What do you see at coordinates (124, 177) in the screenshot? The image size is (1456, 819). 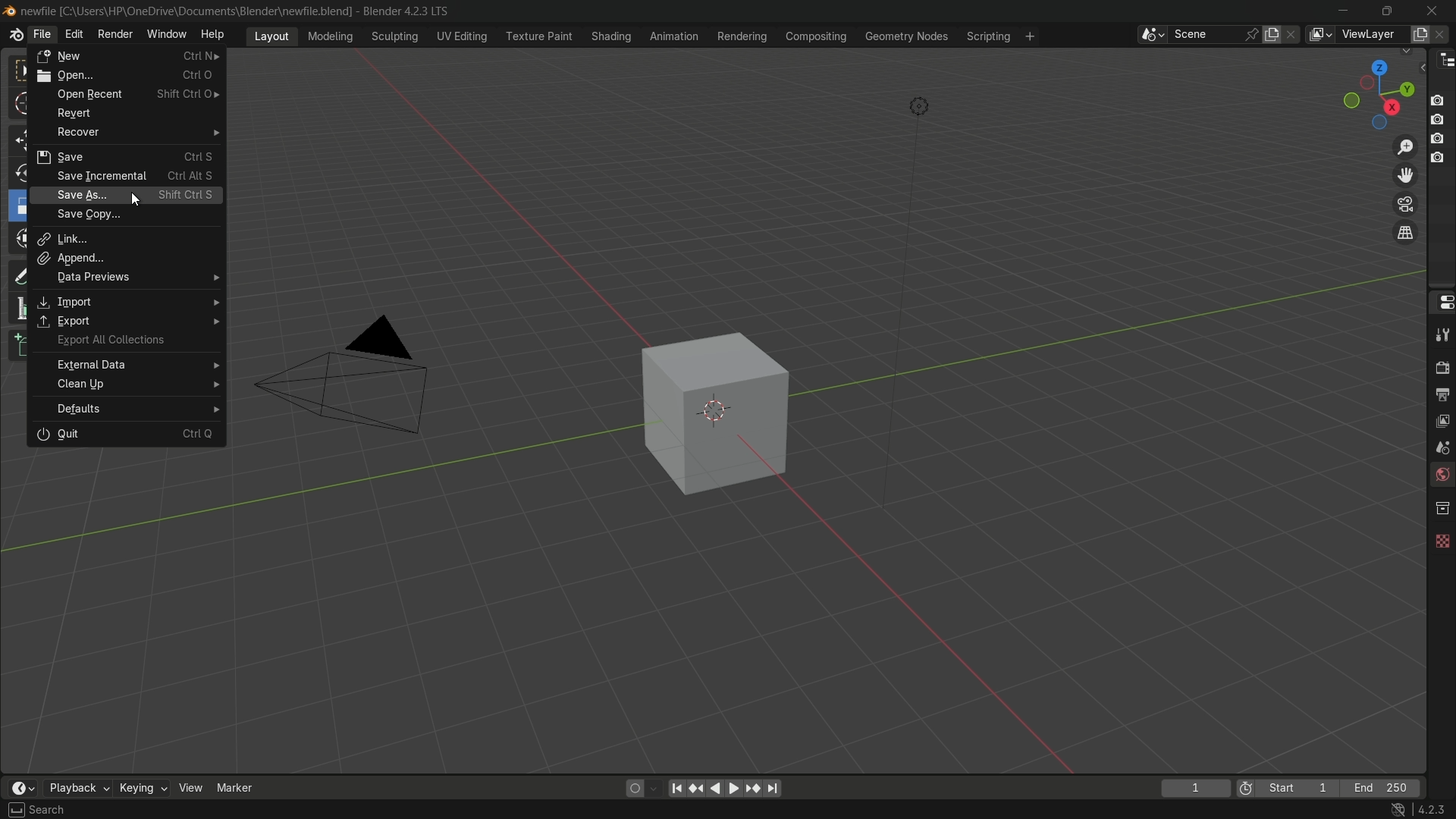 I see `save incremental` at bounding box center [124, 177].